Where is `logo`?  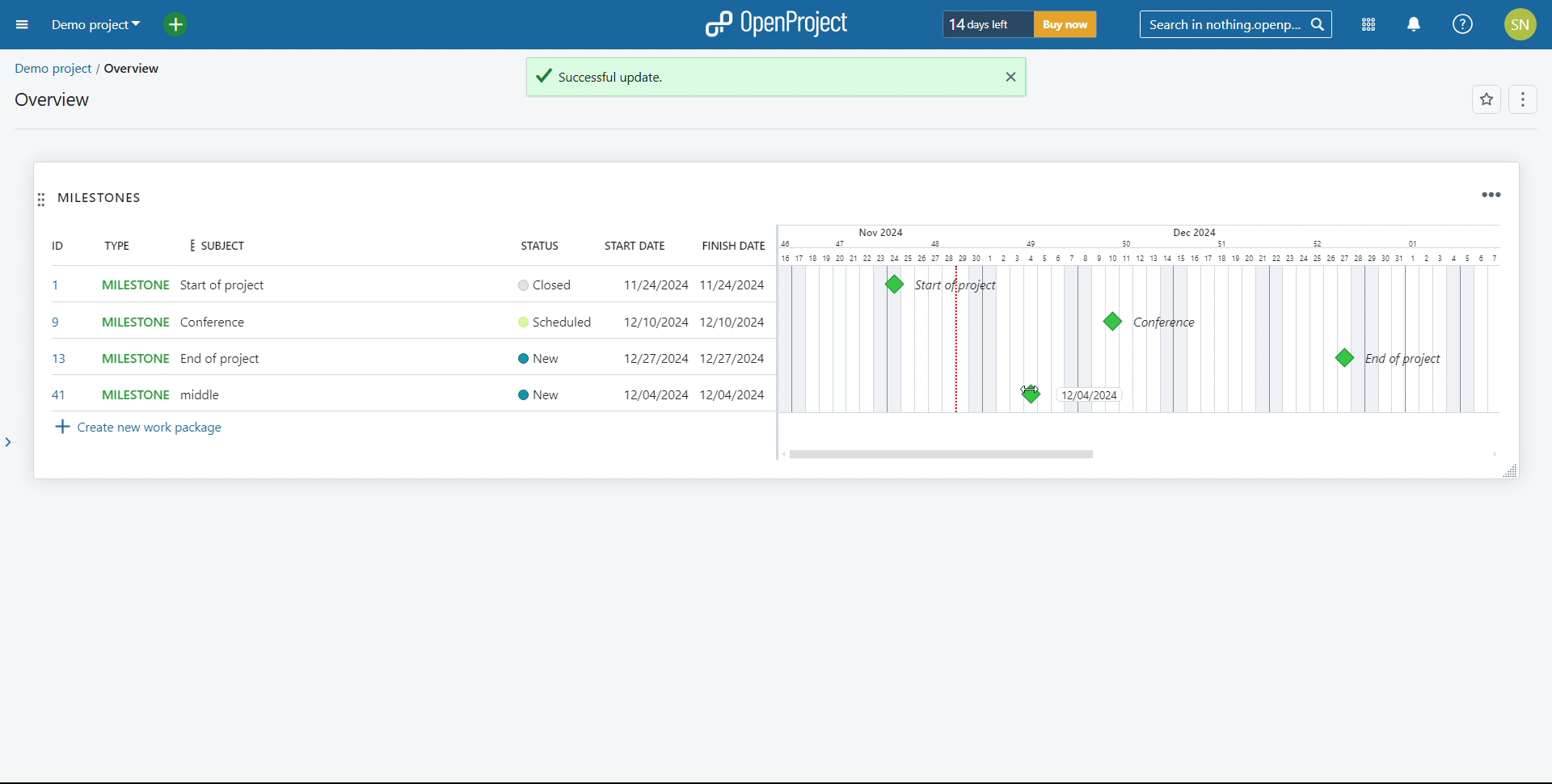 logo is located at coordinates (778, 23).